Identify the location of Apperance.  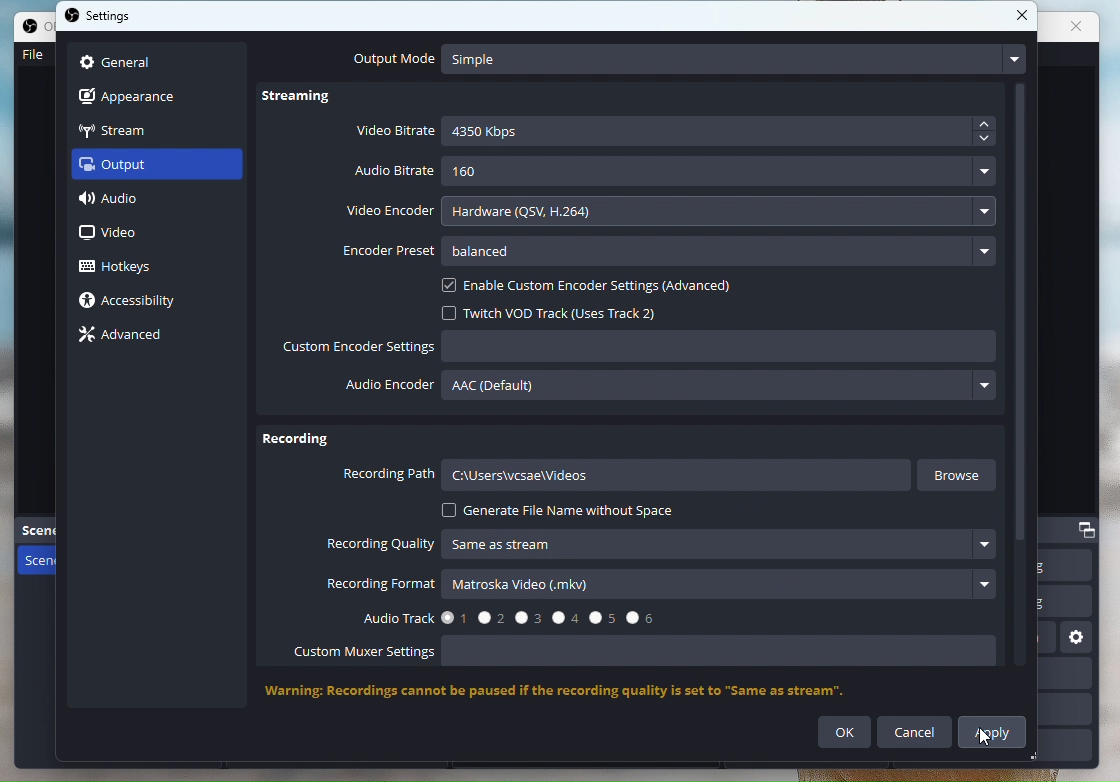
(139, 94).